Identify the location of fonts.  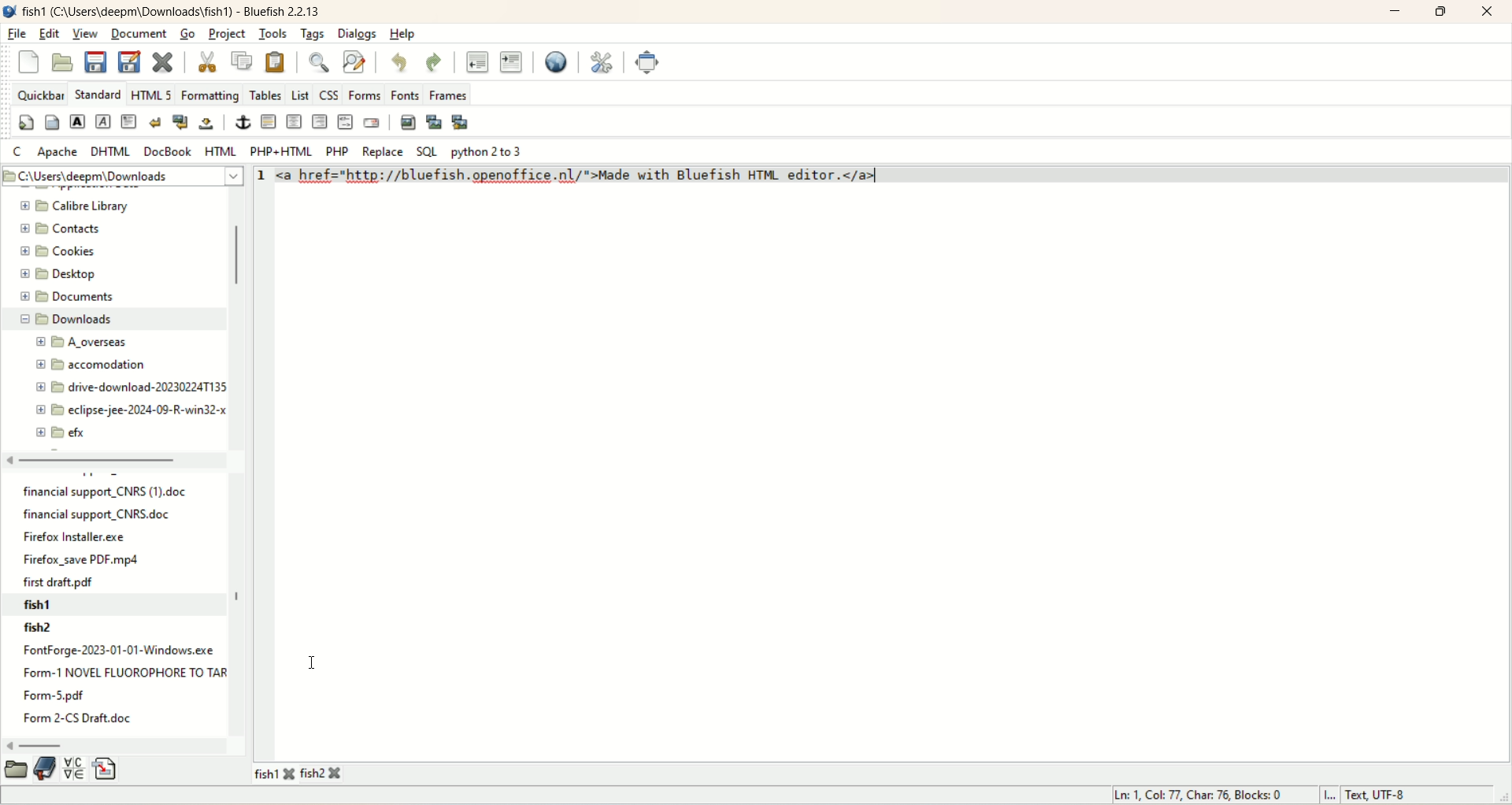
(406, 95).